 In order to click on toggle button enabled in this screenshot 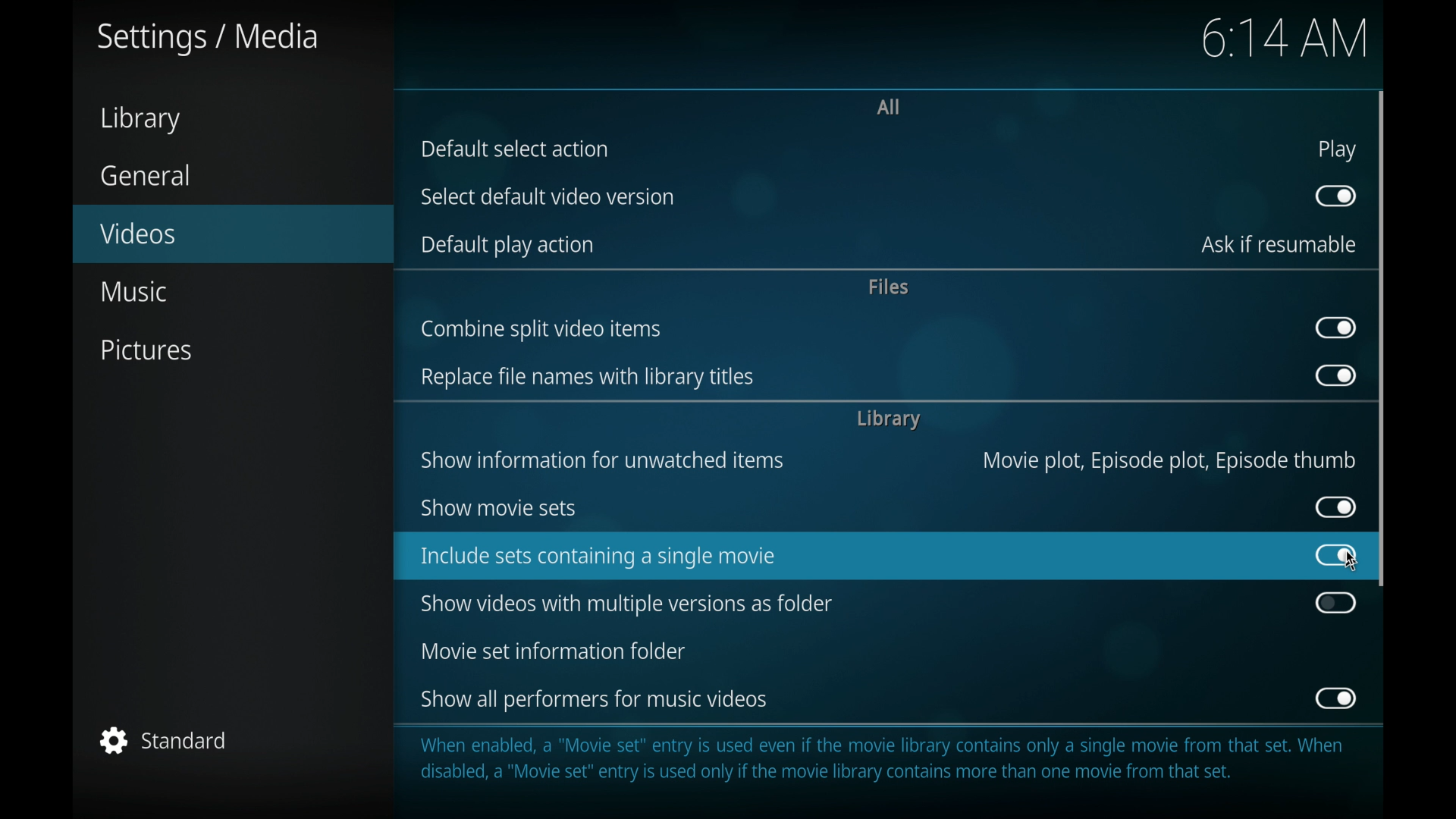, I will do `click(1335, 555)`.